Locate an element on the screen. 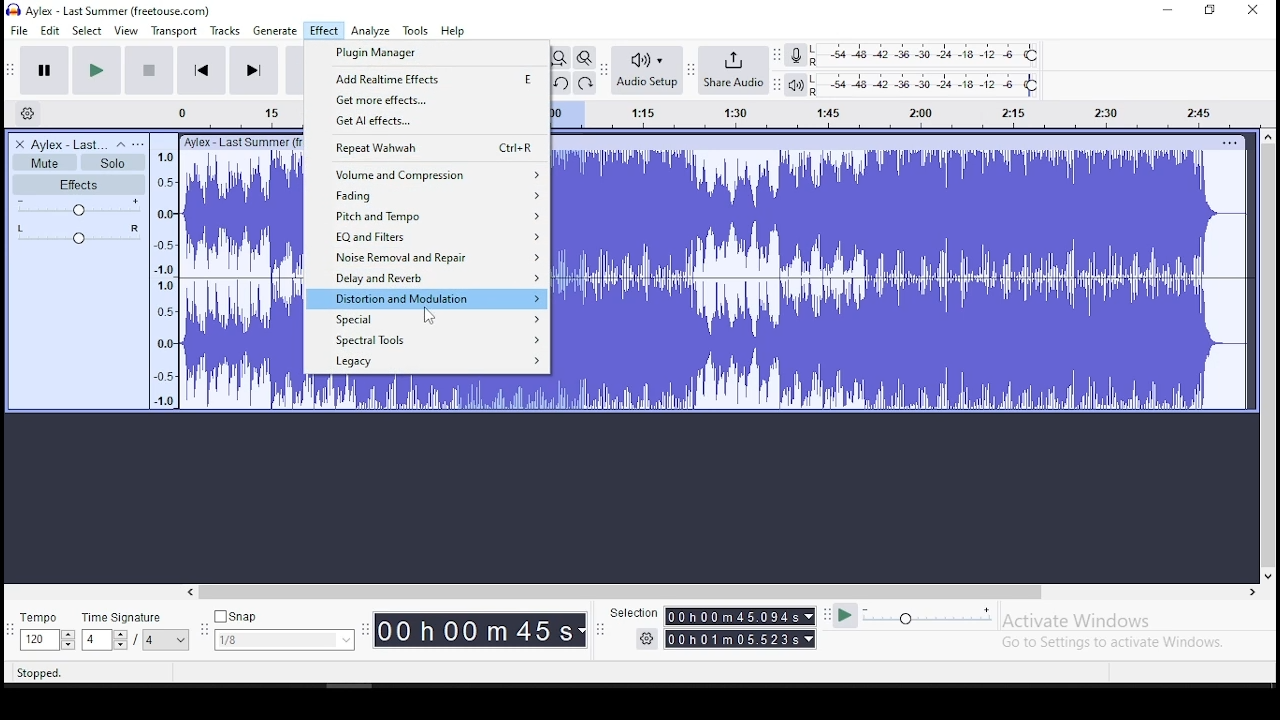  volume and compression is located at coordinates (426, 174).